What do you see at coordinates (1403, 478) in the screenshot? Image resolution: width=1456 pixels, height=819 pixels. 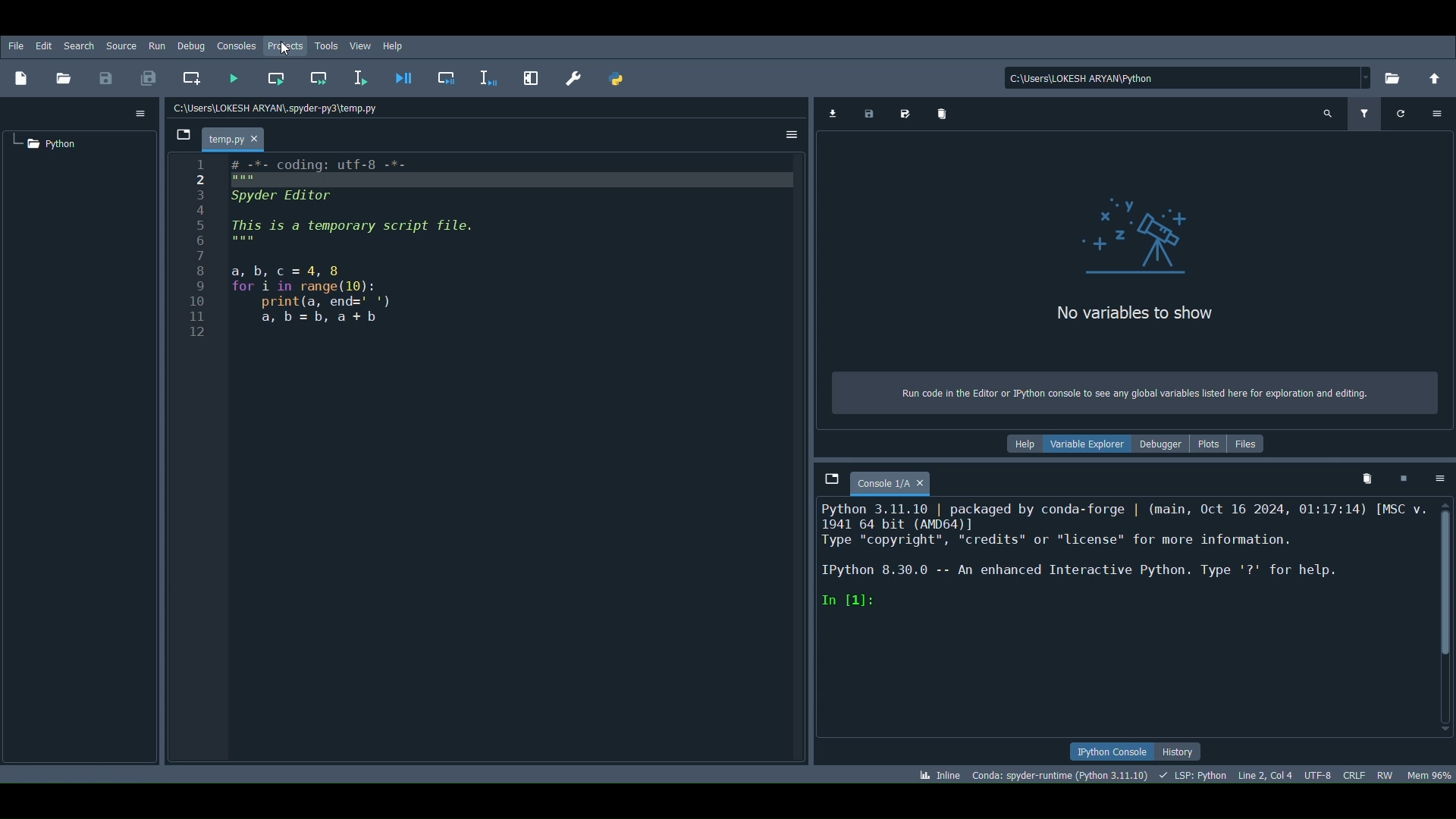 I see `Interrupt kernel` at bounding box center [1403, 478].